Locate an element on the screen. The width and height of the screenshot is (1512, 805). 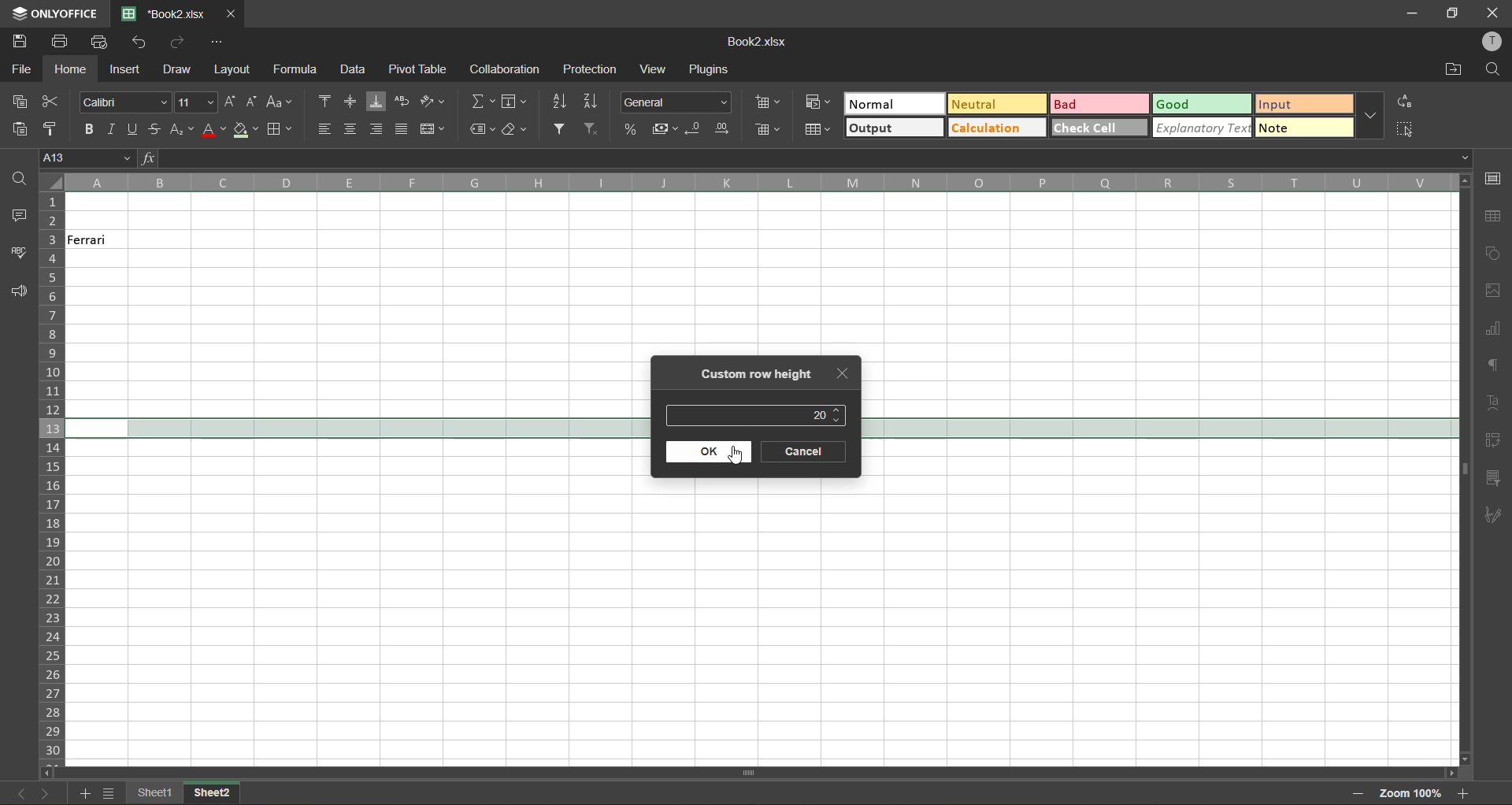
sub/superscript is located at coordinates (182, 128).